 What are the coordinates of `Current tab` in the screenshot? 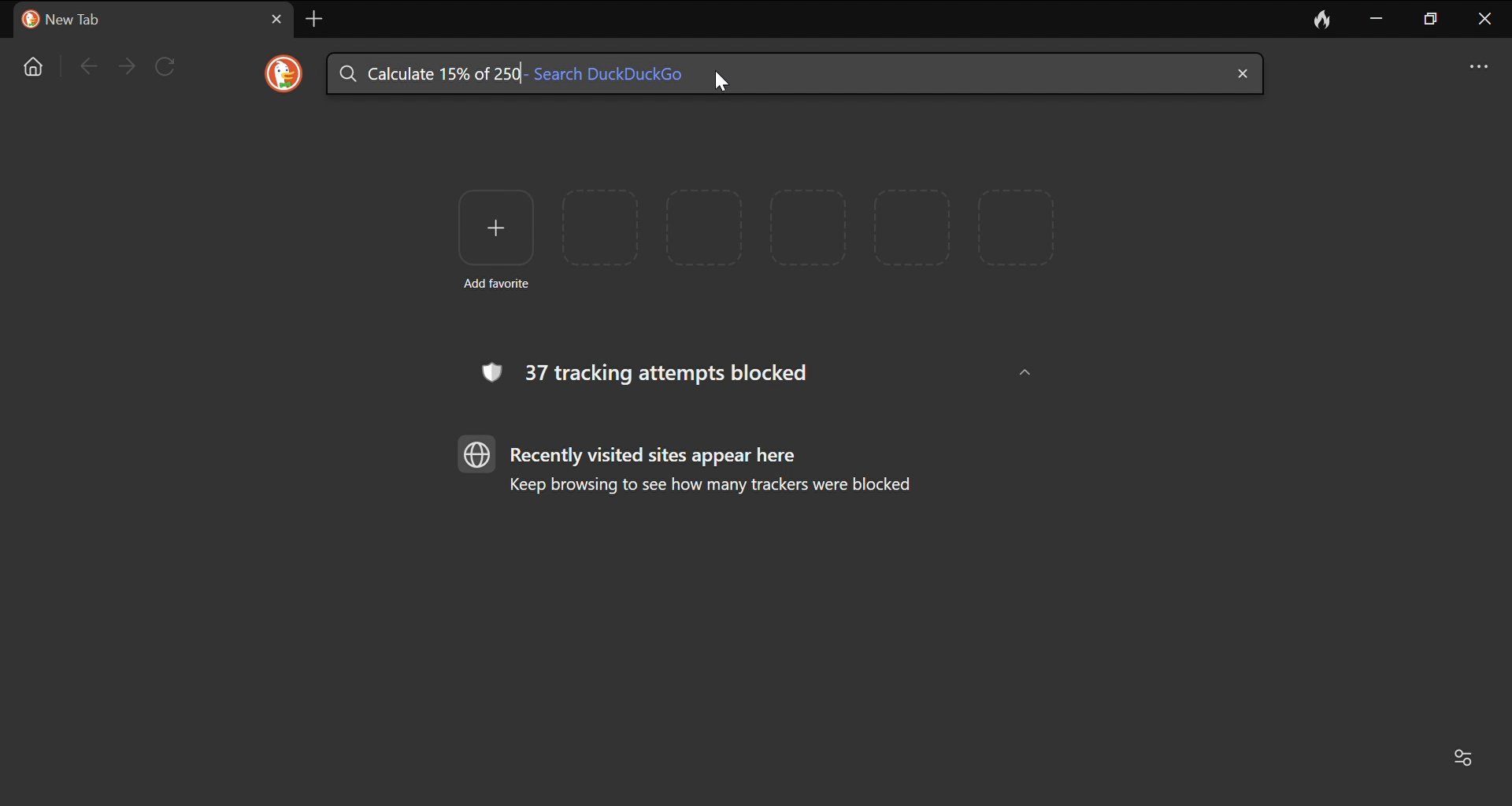 It's located at (132, 20).